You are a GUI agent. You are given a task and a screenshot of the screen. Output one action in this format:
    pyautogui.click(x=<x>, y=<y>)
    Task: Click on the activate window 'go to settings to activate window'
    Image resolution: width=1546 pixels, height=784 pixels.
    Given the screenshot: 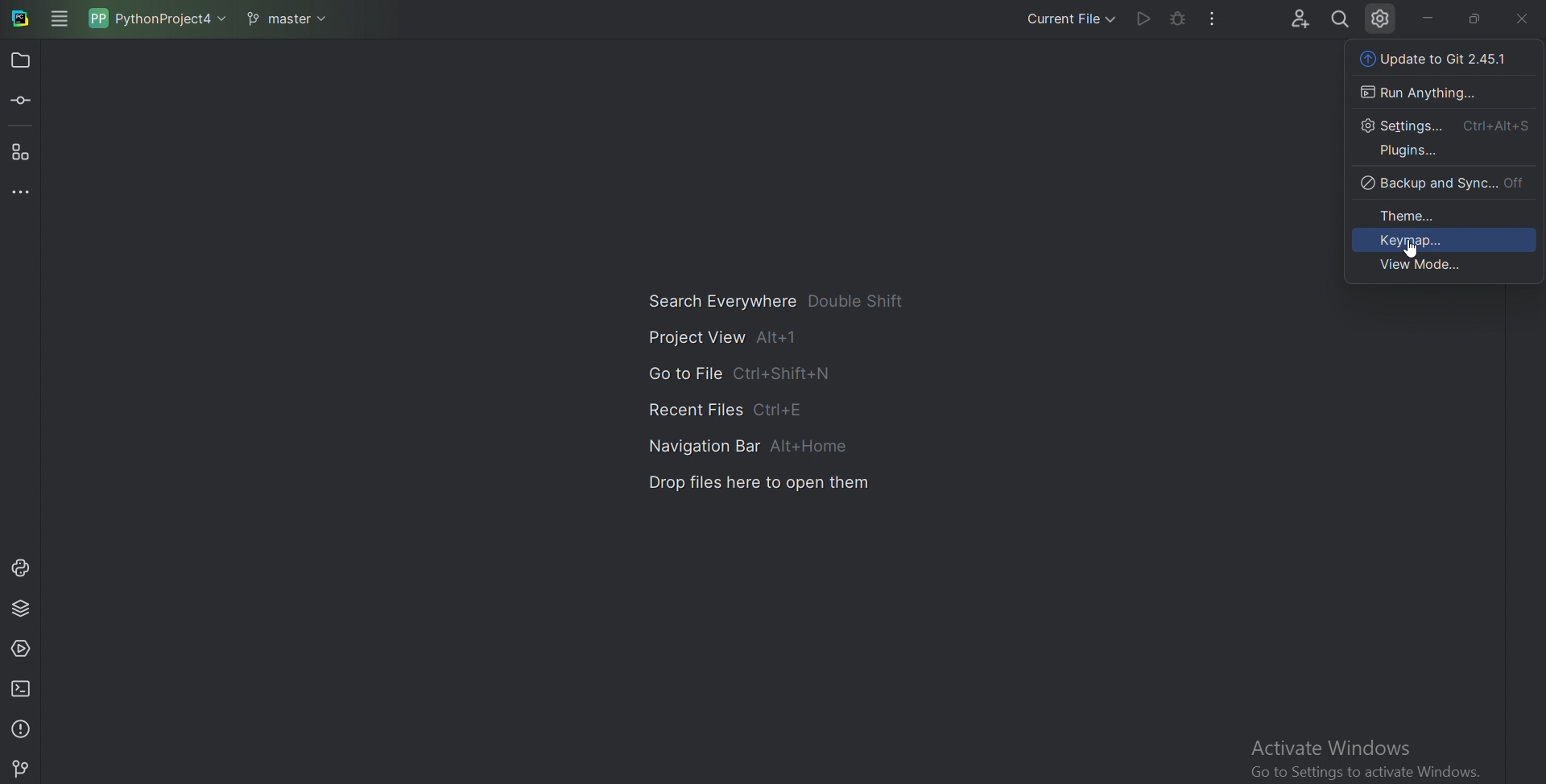 What is the action you would take?
    pyautogui.click(x=1365, y=761)
    